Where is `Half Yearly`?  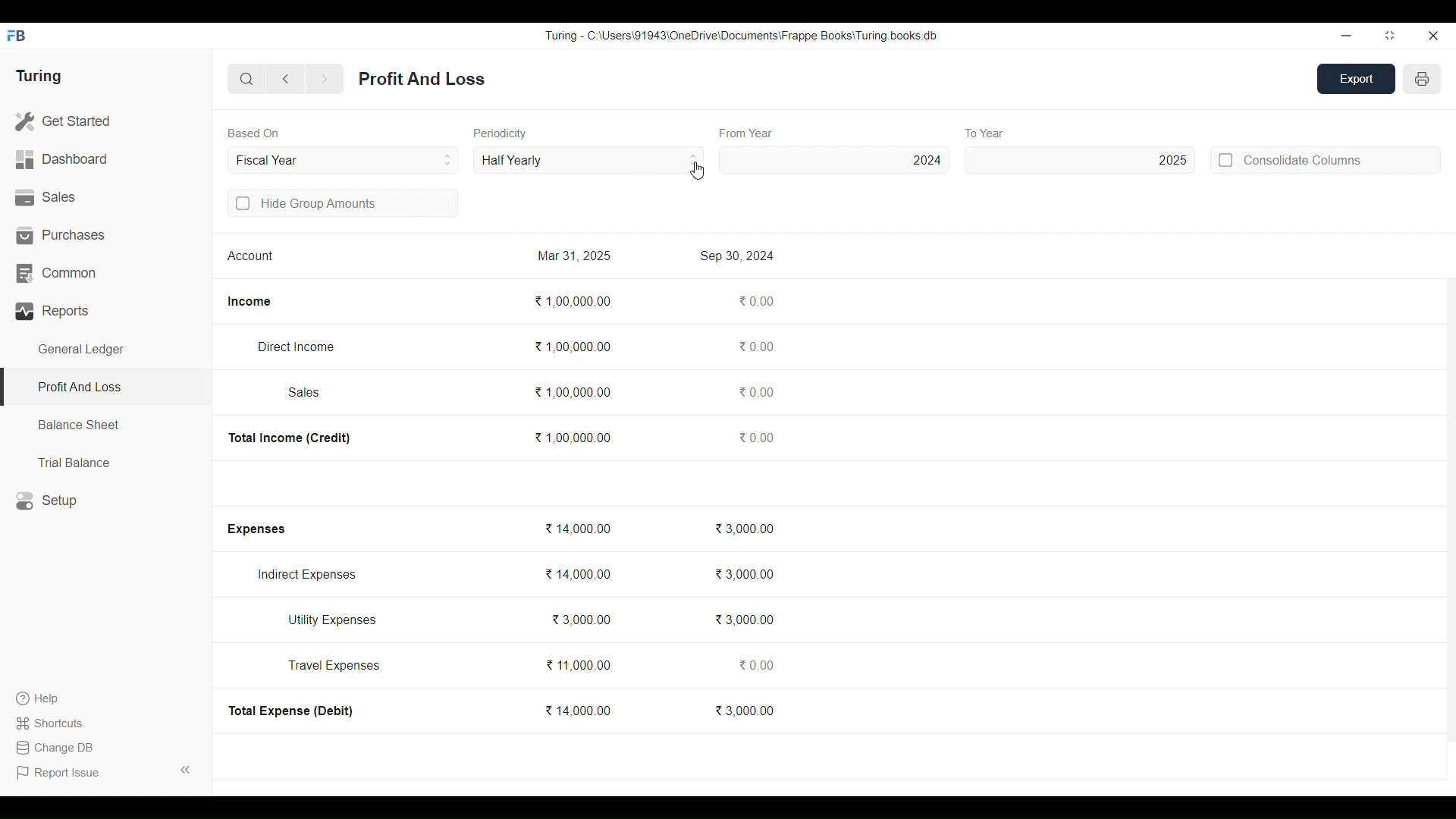
Half Yearly is located at coordinates (588, 159).